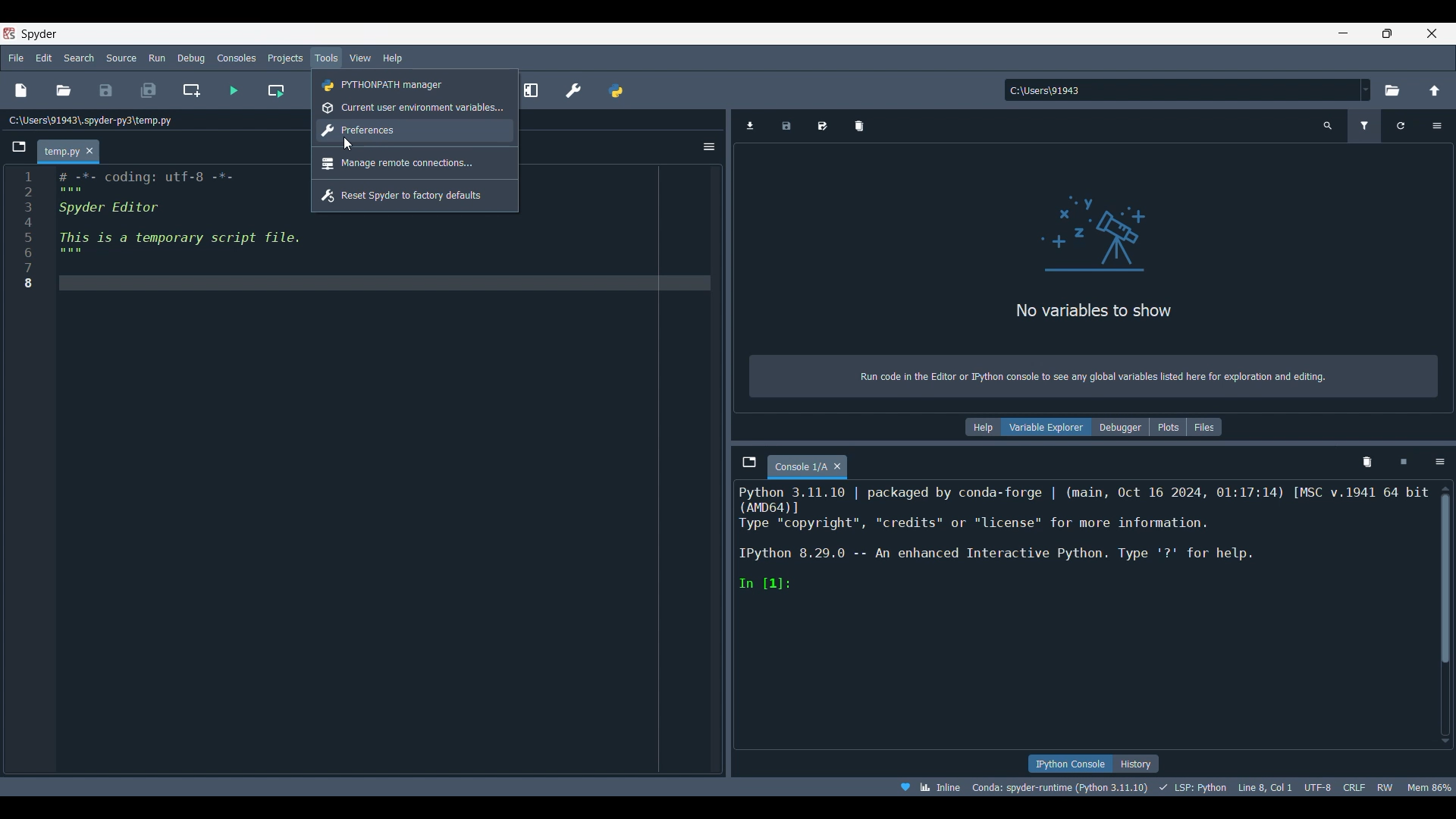 Image resolution: width=1456 pixels, height=819 pixels. What do you see at coordinates (786, 126) in the screenshot?
I see `Save data` at bounding box center [786, 126].